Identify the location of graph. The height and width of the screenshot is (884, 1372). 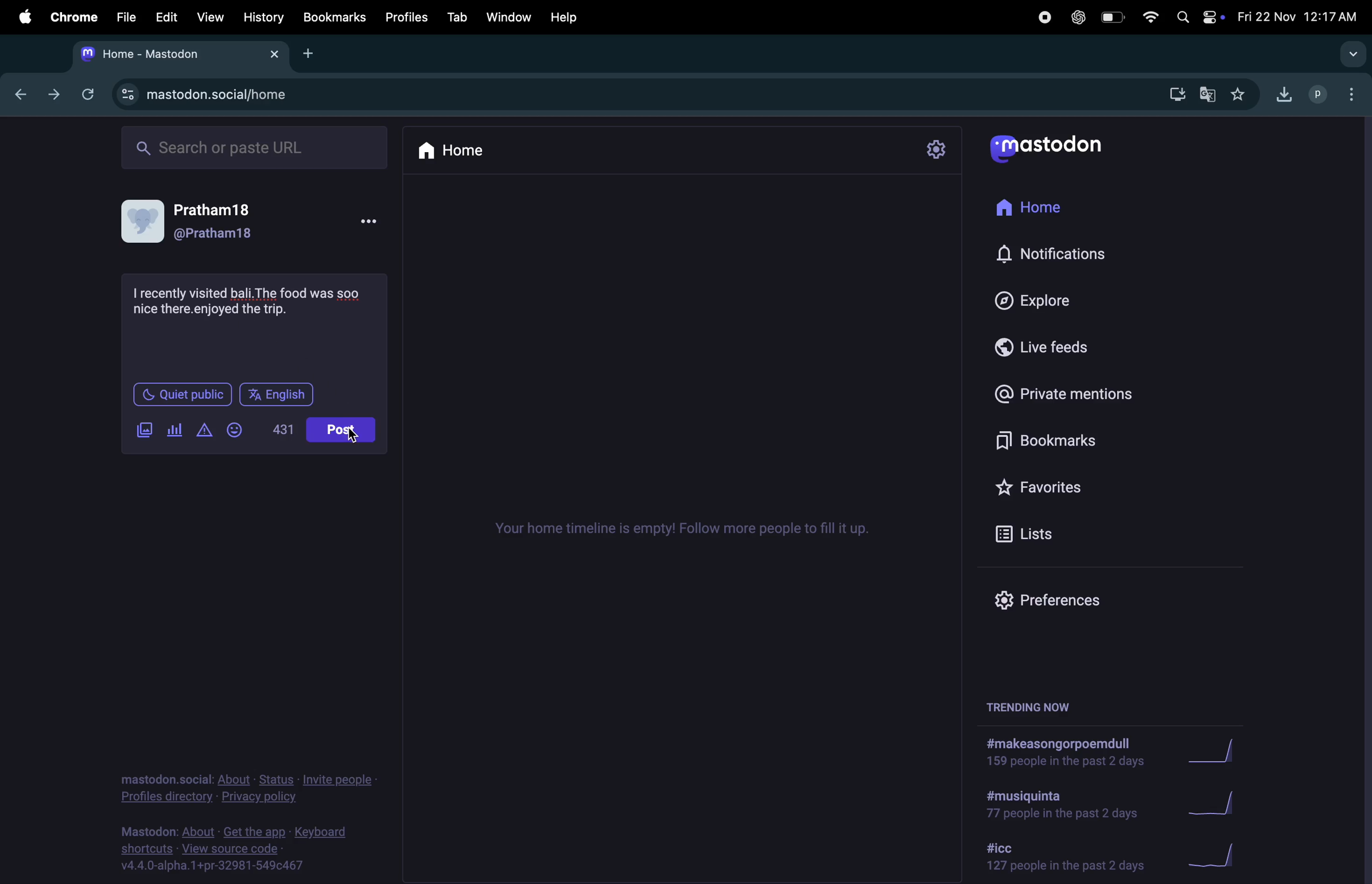
(1217, 802).